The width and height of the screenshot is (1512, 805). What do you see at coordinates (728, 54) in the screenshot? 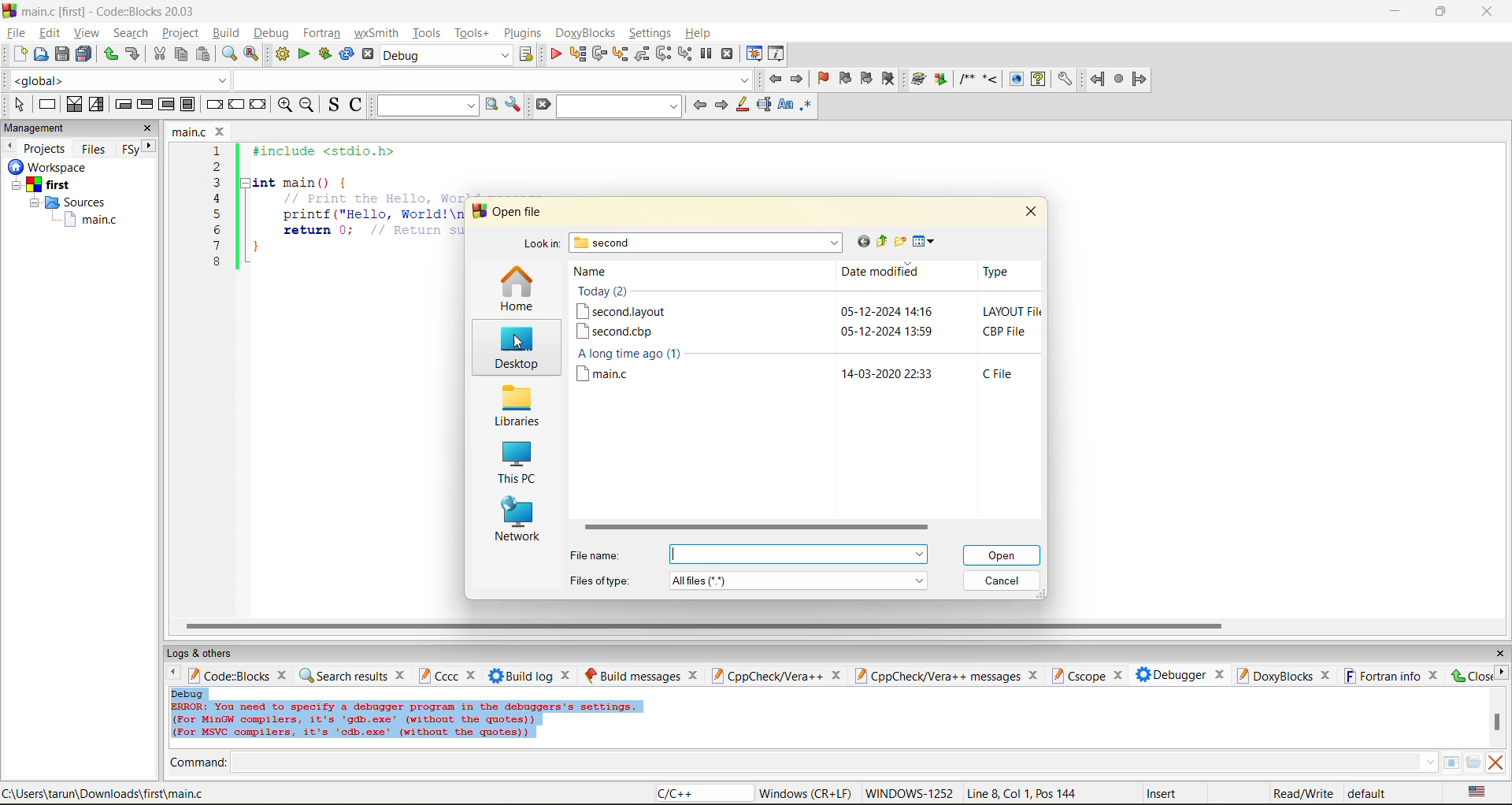
I see `stop debugger` at bounding box center [728, 54].